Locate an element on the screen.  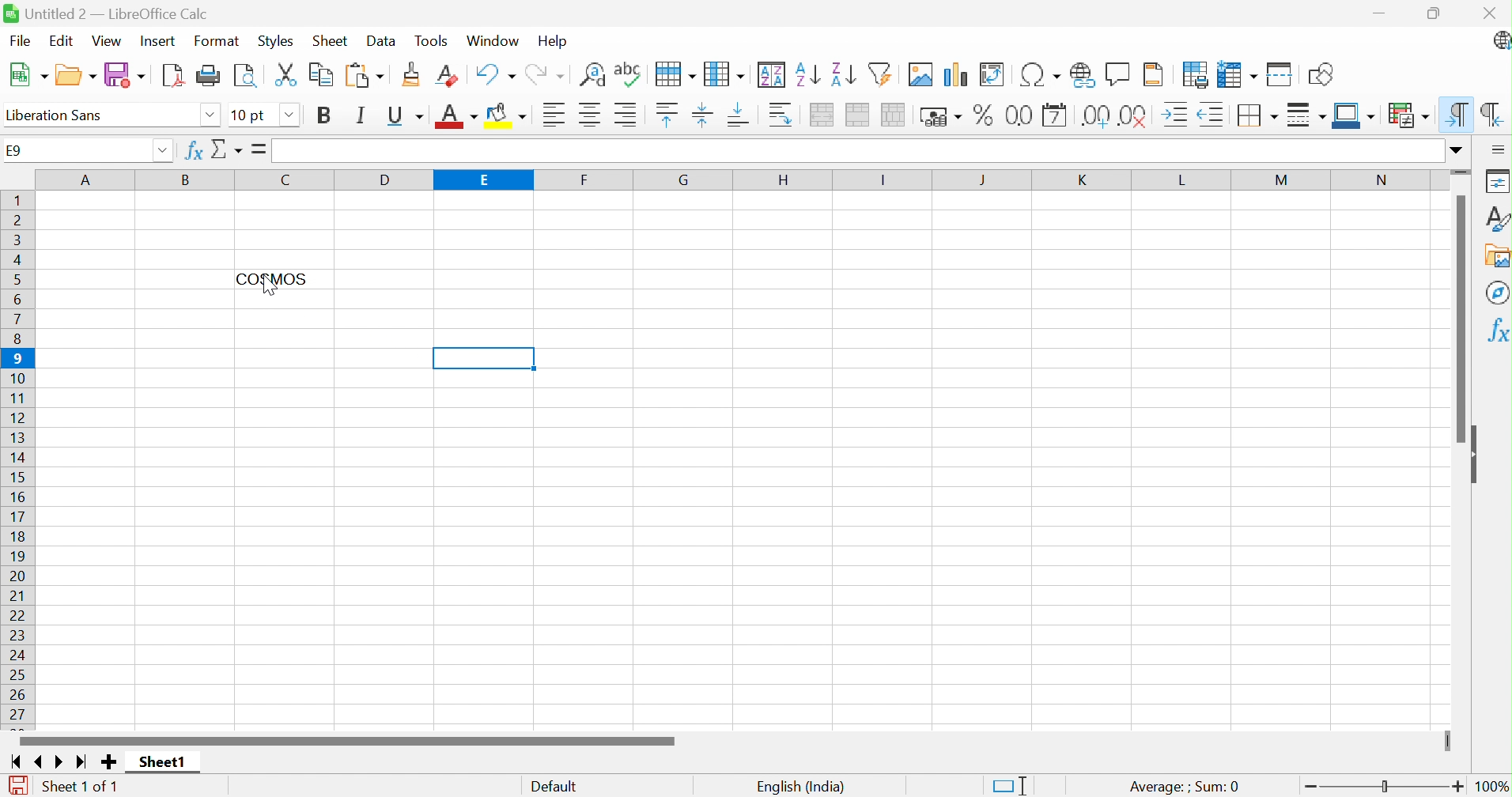
English (India) is located at coordinates (799, 786).